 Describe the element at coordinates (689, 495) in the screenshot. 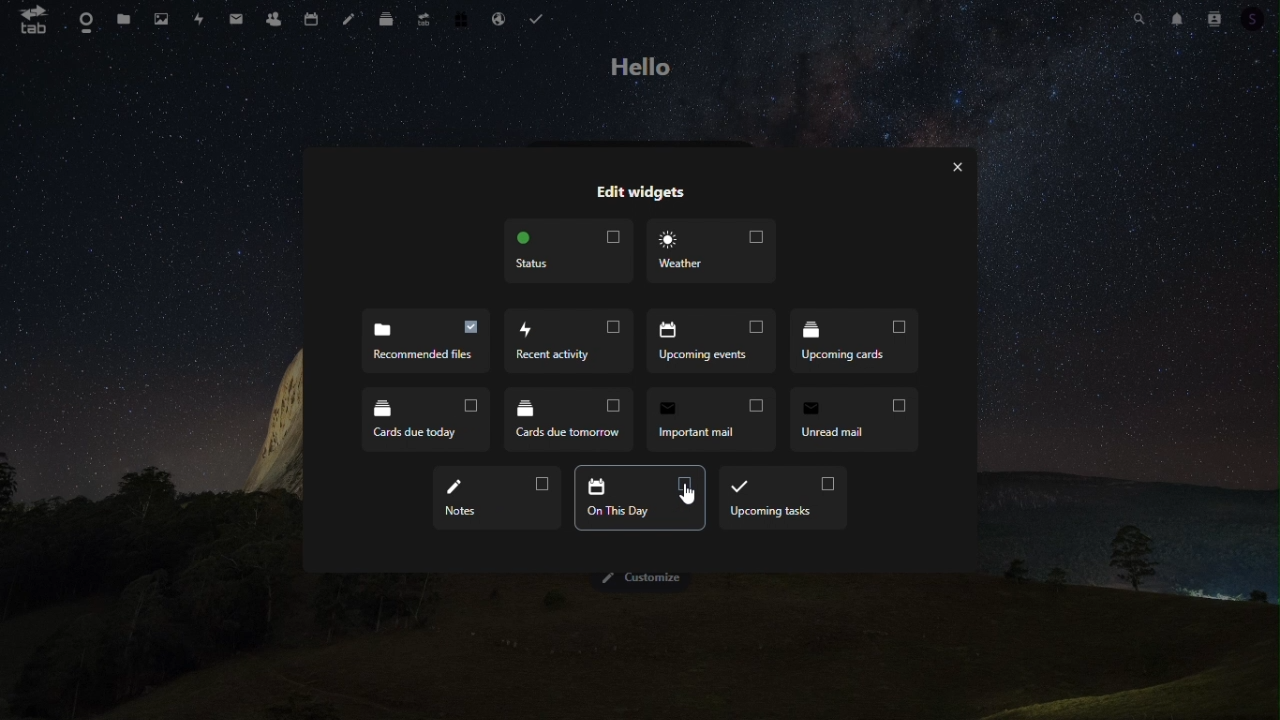

I see `Cursor` at that location.